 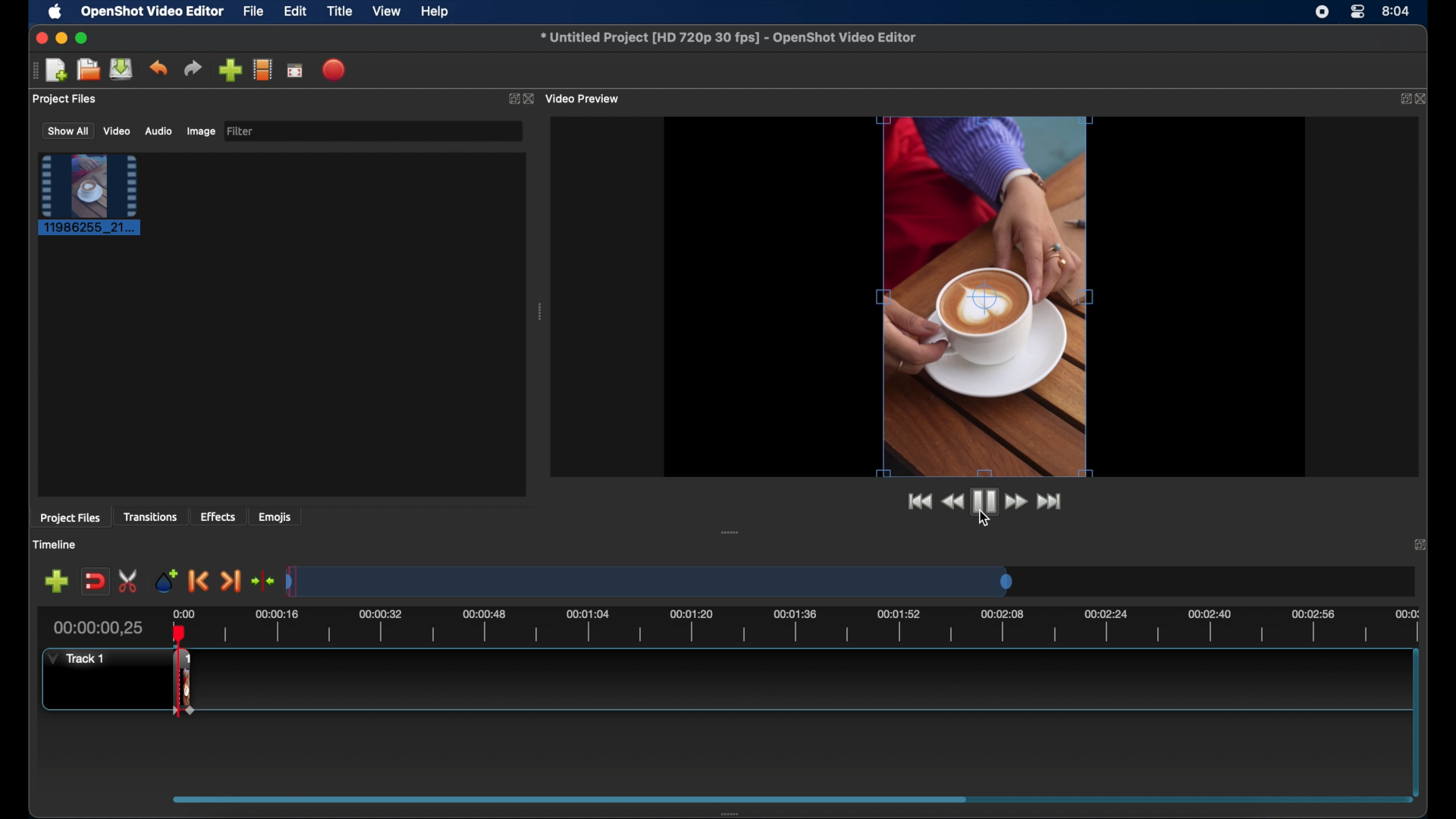 What do you see at coordinates (77, 658) in the screenshot?
I see `track1` at bounding box center [77, 658].